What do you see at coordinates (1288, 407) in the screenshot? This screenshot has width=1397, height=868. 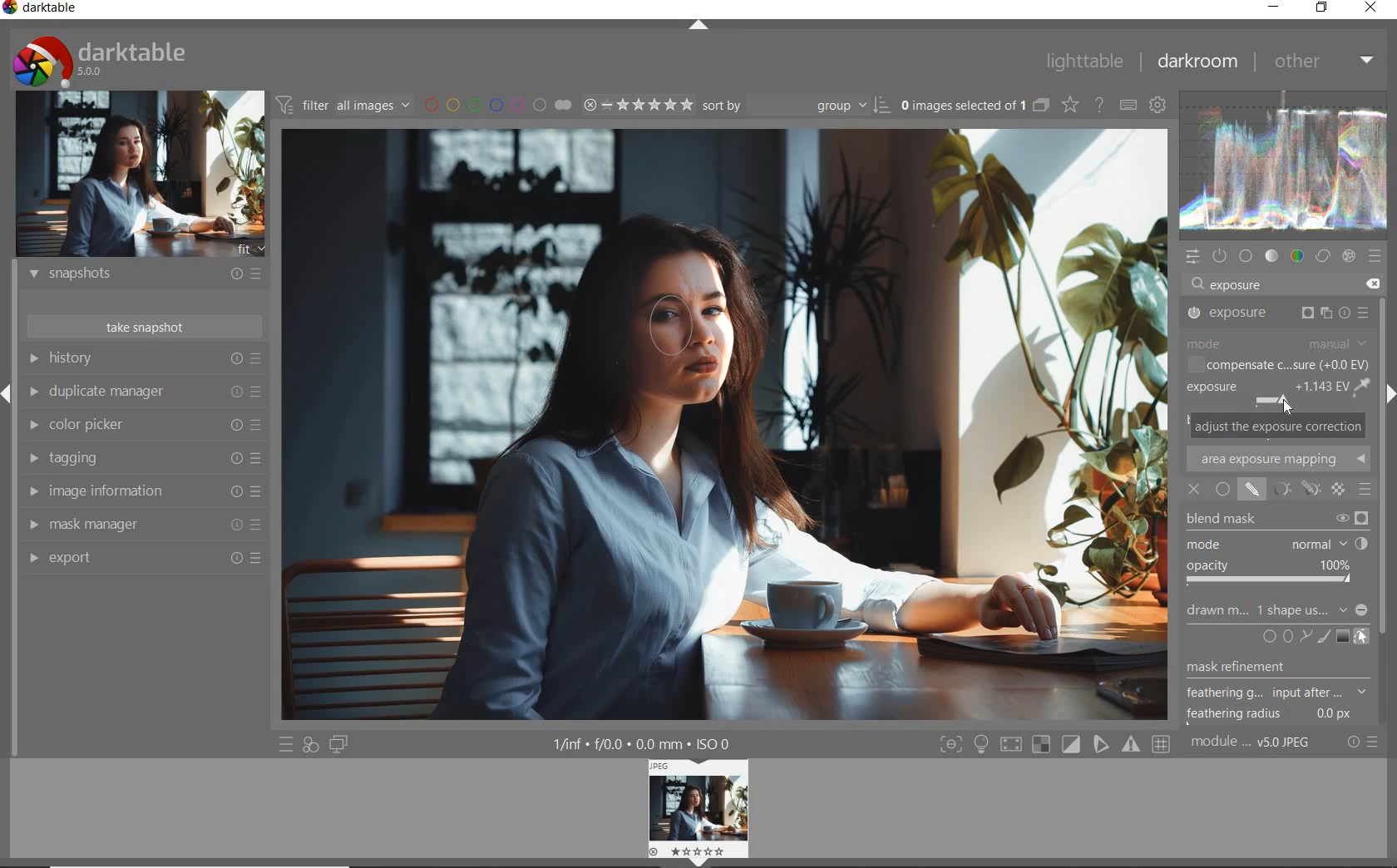 I see `CURSOR` at bounding box center [1288, 407].